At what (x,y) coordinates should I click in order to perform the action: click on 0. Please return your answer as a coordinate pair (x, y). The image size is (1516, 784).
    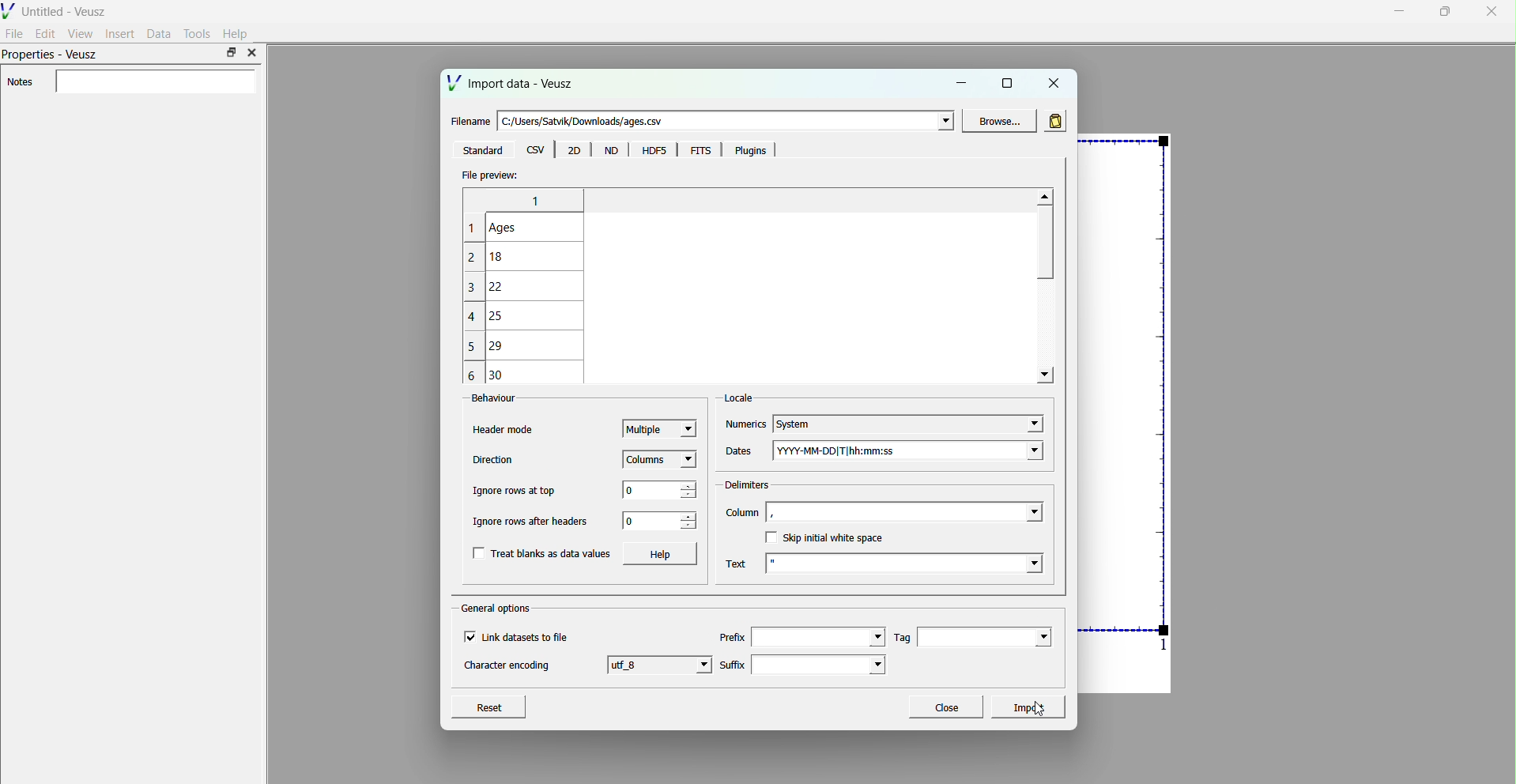
    Looking at the image, I should click on (648, 489).